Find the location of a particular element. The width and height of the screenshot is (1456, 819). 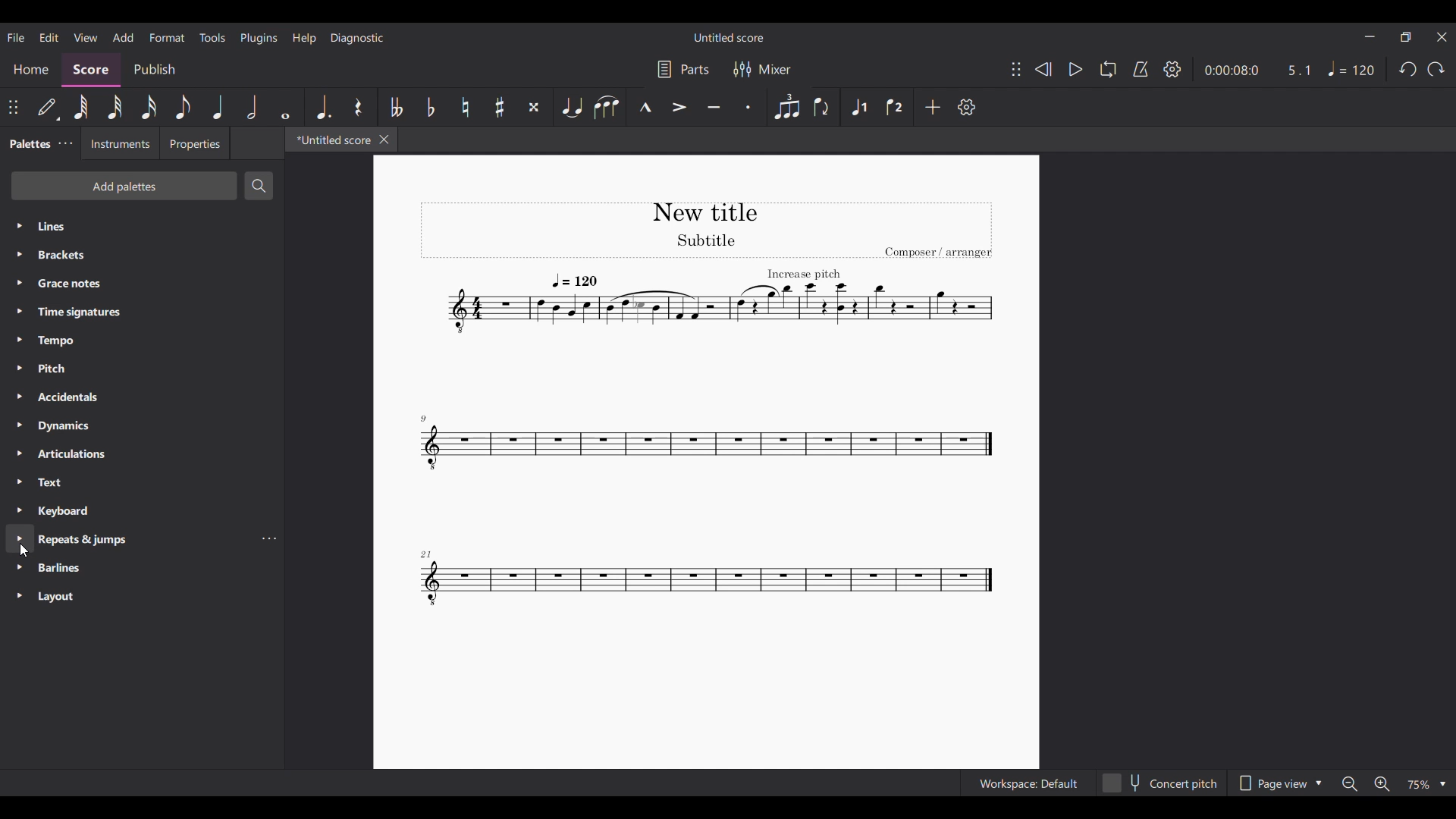

Repeats & jumps highlighted by cursor is located at coordinates (127, 538).